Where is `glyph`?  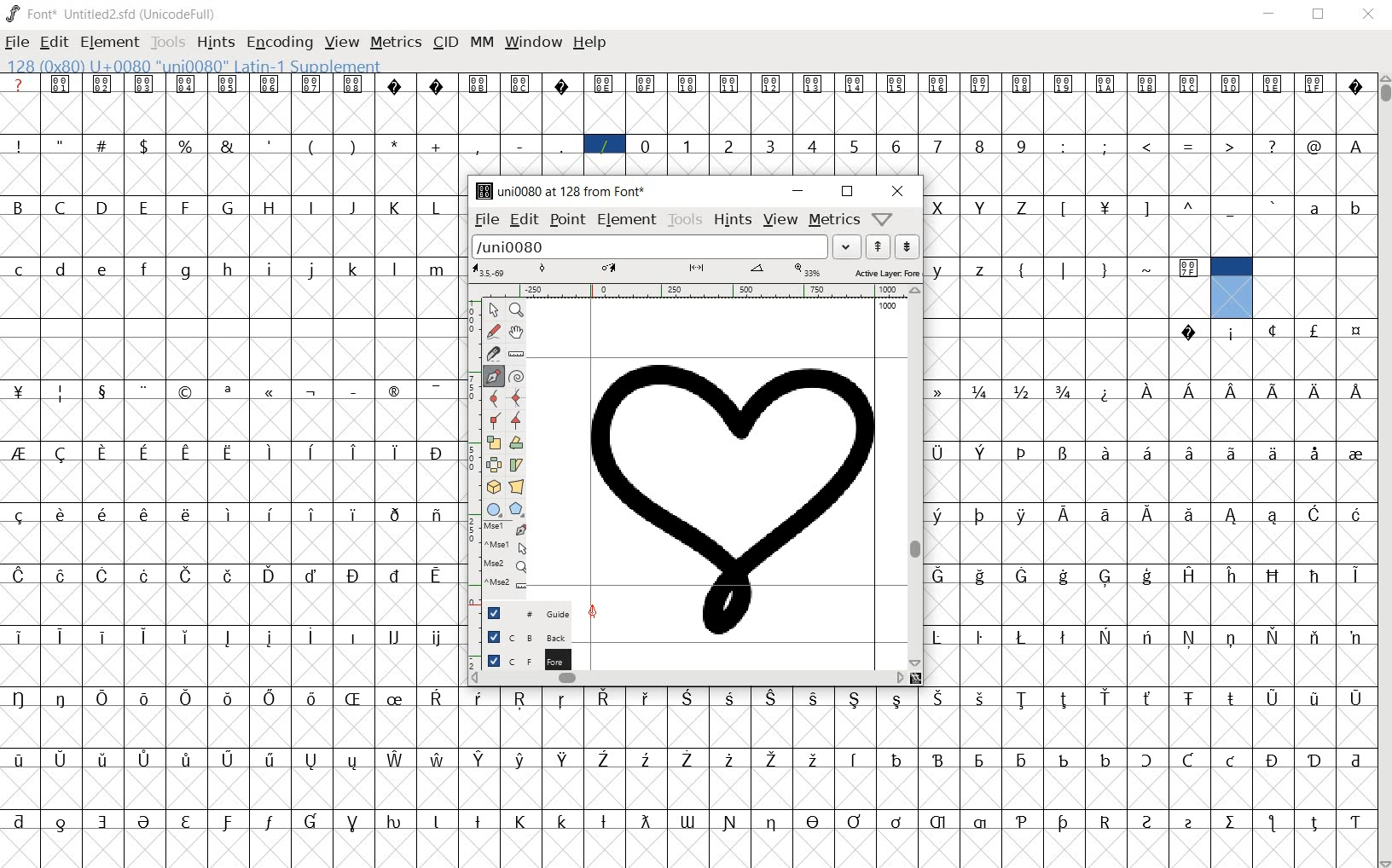 glyph is located at coordinates (435, 822).